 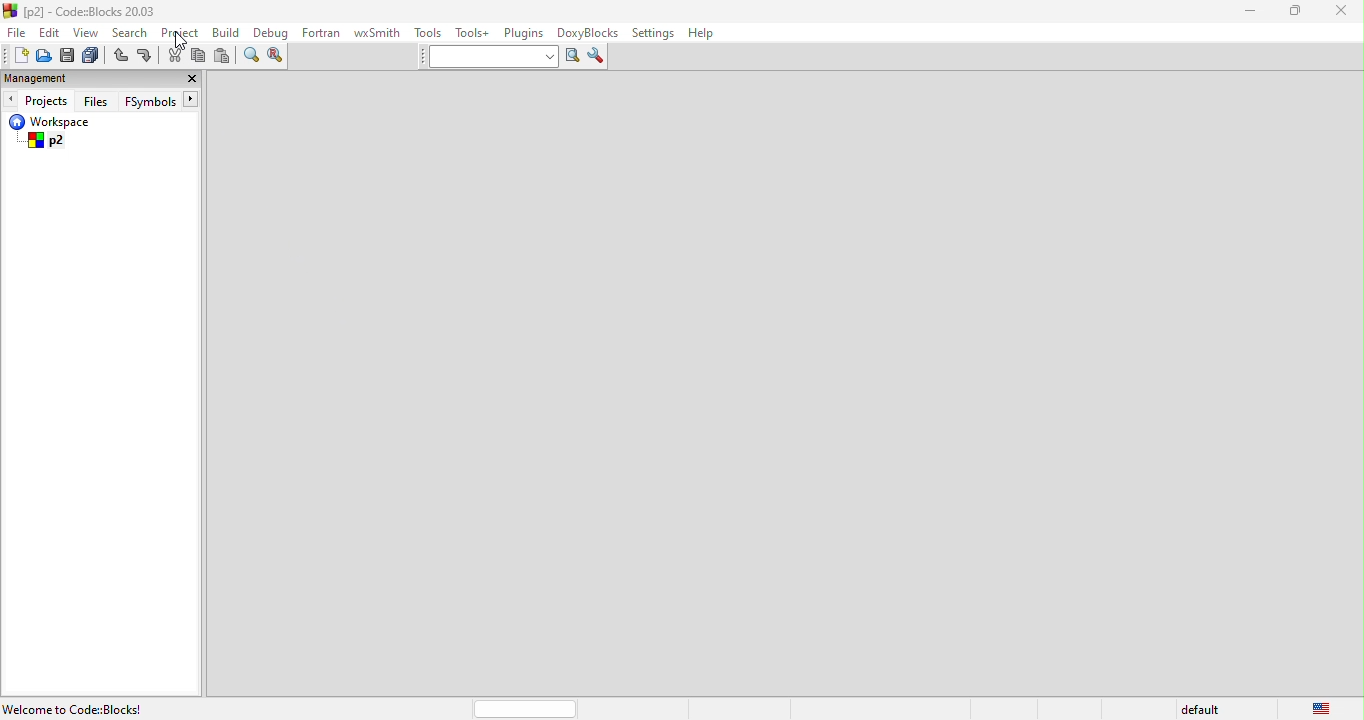 What do you see at coordinates (1197, 709) in the screenshot?
I see `default` at bounding box center [1197, 709].